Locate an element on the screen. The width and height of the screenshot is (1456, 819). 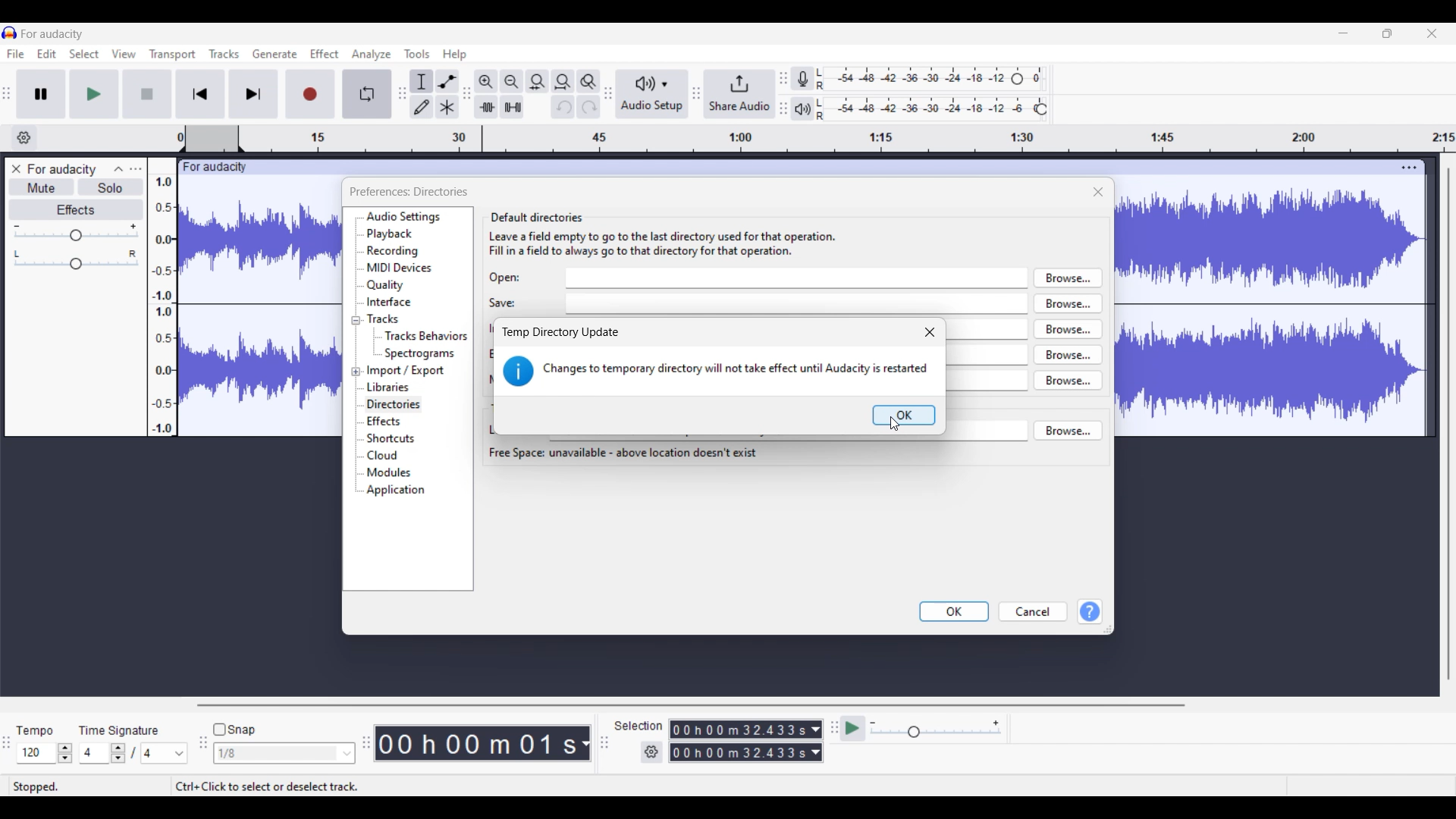
MIDI devices is located at coordinates (400, 268).